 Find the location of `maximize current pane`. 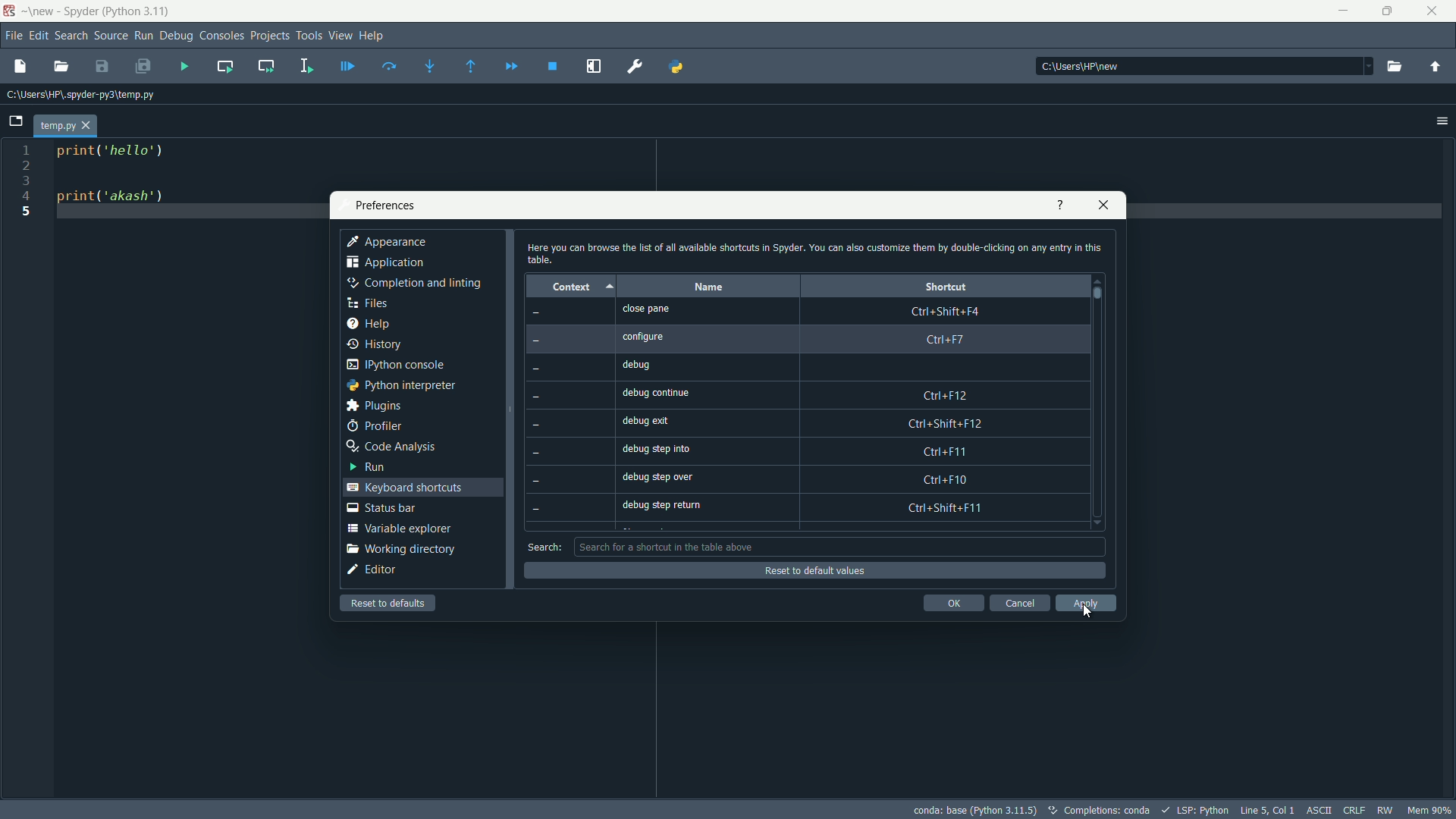

maximize current pane is located at coordinates (595, 67).